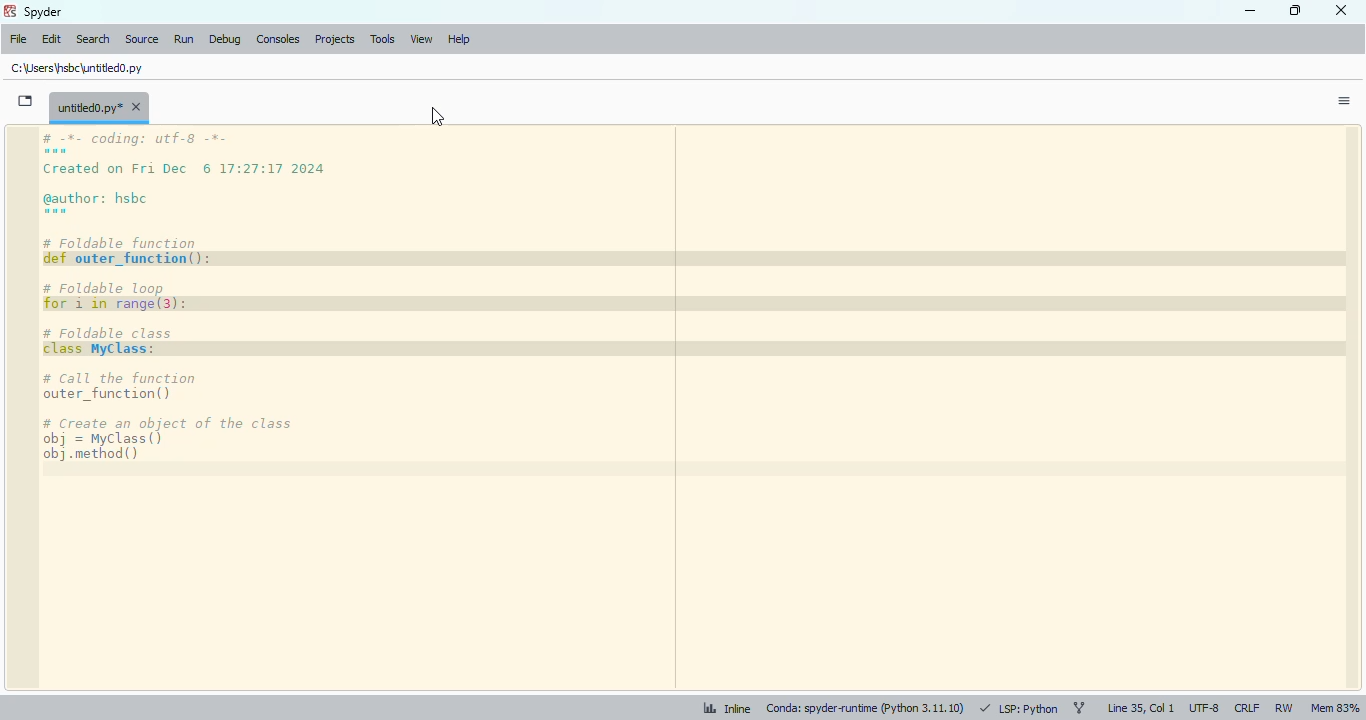  Describe the element at coordinates (1342, 10) in the screenshot. I see `close` at that location.